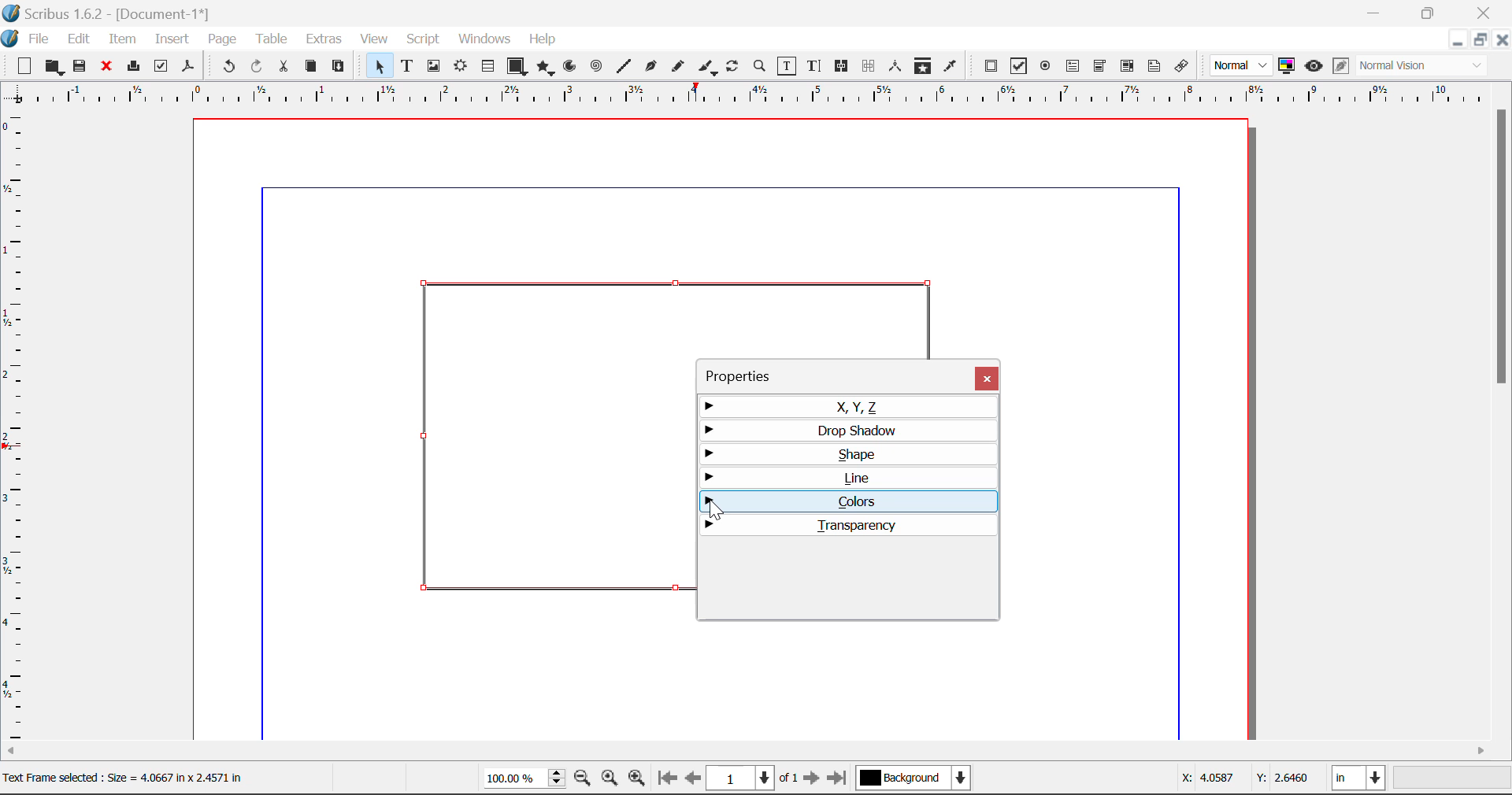 The height and width of the screenshot is (795, 1512). I want to click on Drop Shadow, so click(846, 430).